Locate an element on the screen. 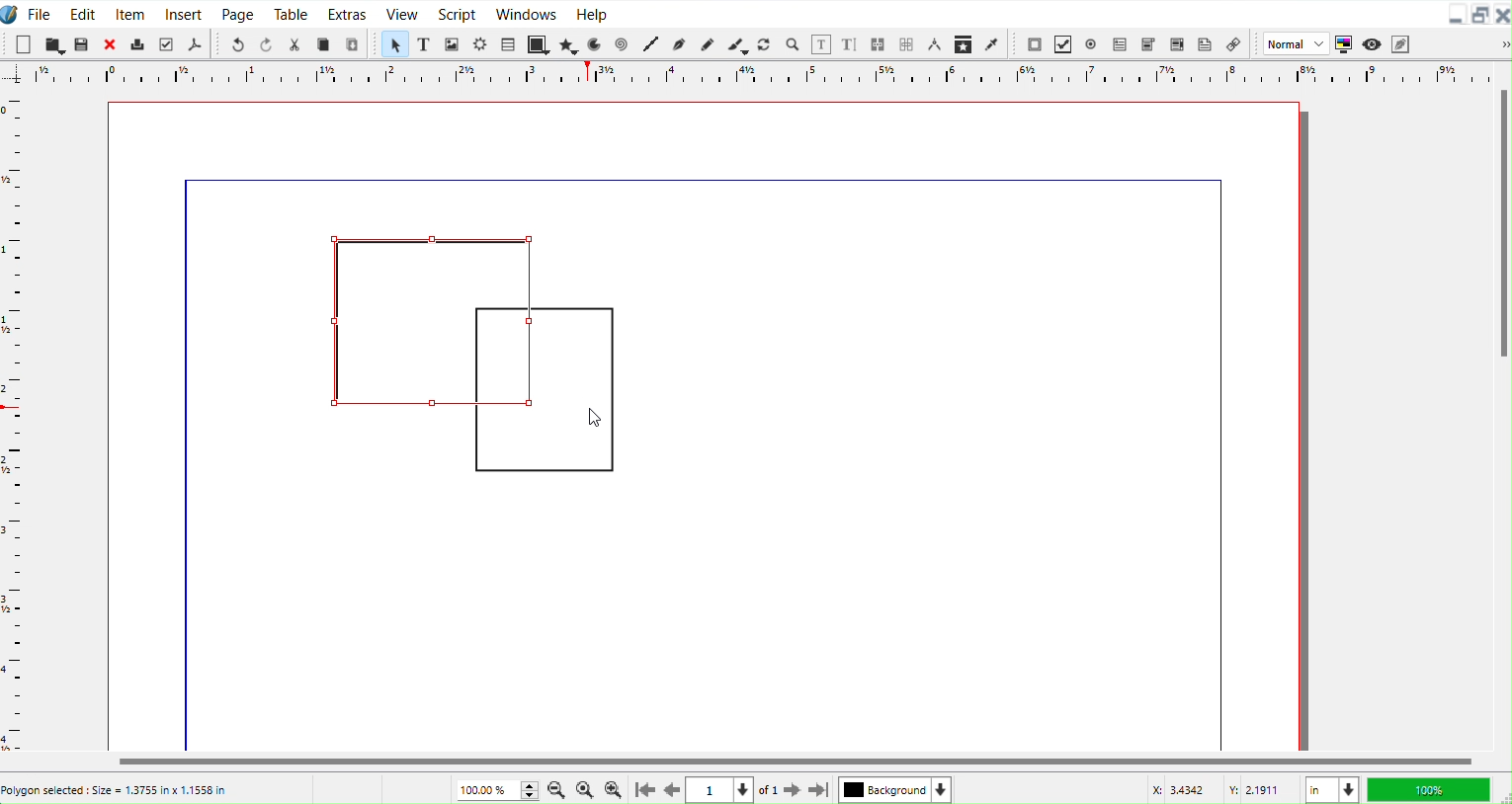 This screenshot has height=804, width=1512. Zoom In is located at coordinates (615, 790).